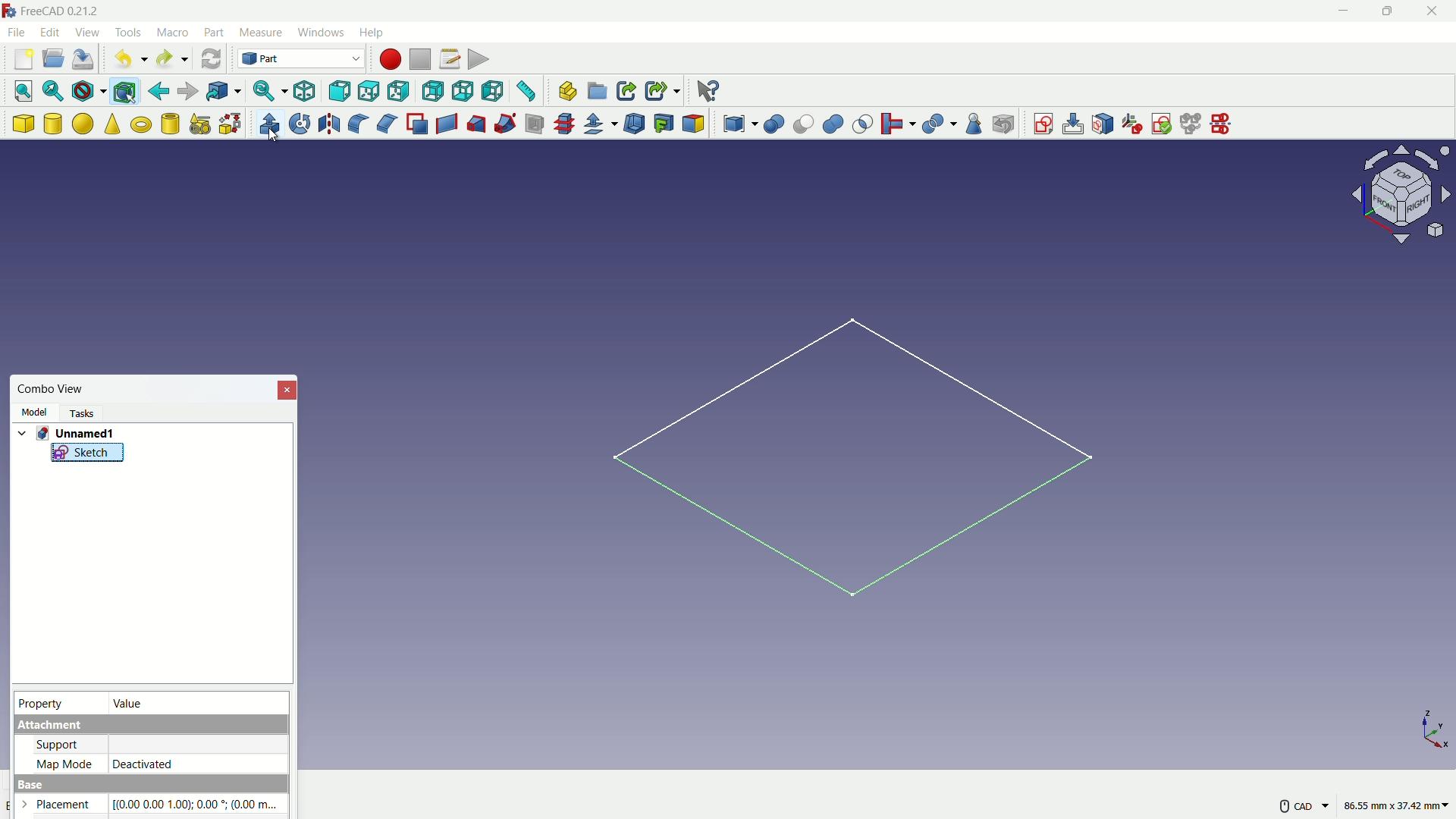  I want to click on sketch, so click(87, 457).